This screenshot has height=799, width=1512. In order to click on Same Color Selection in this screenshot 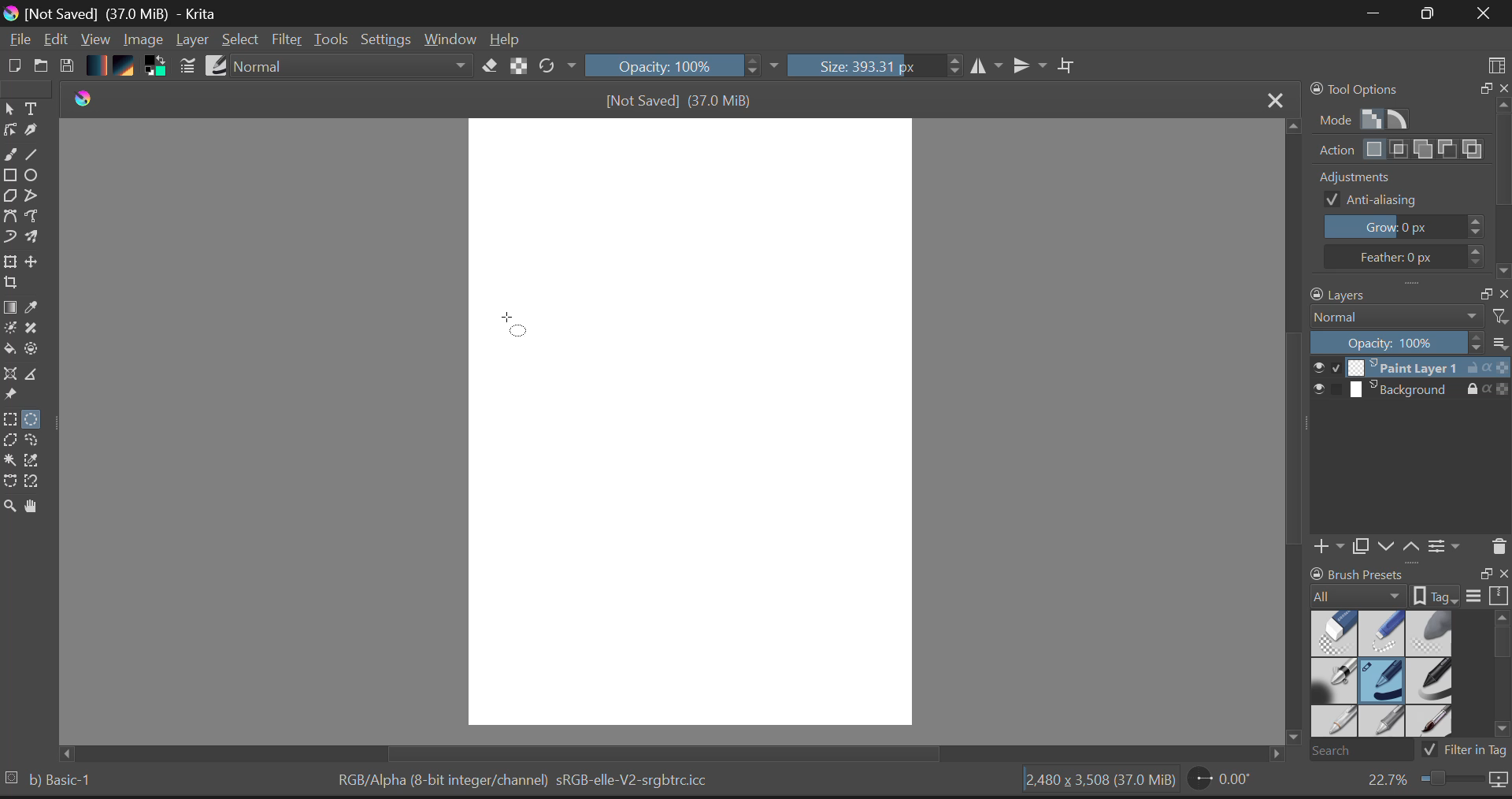, I will do `click(37, 463)`.